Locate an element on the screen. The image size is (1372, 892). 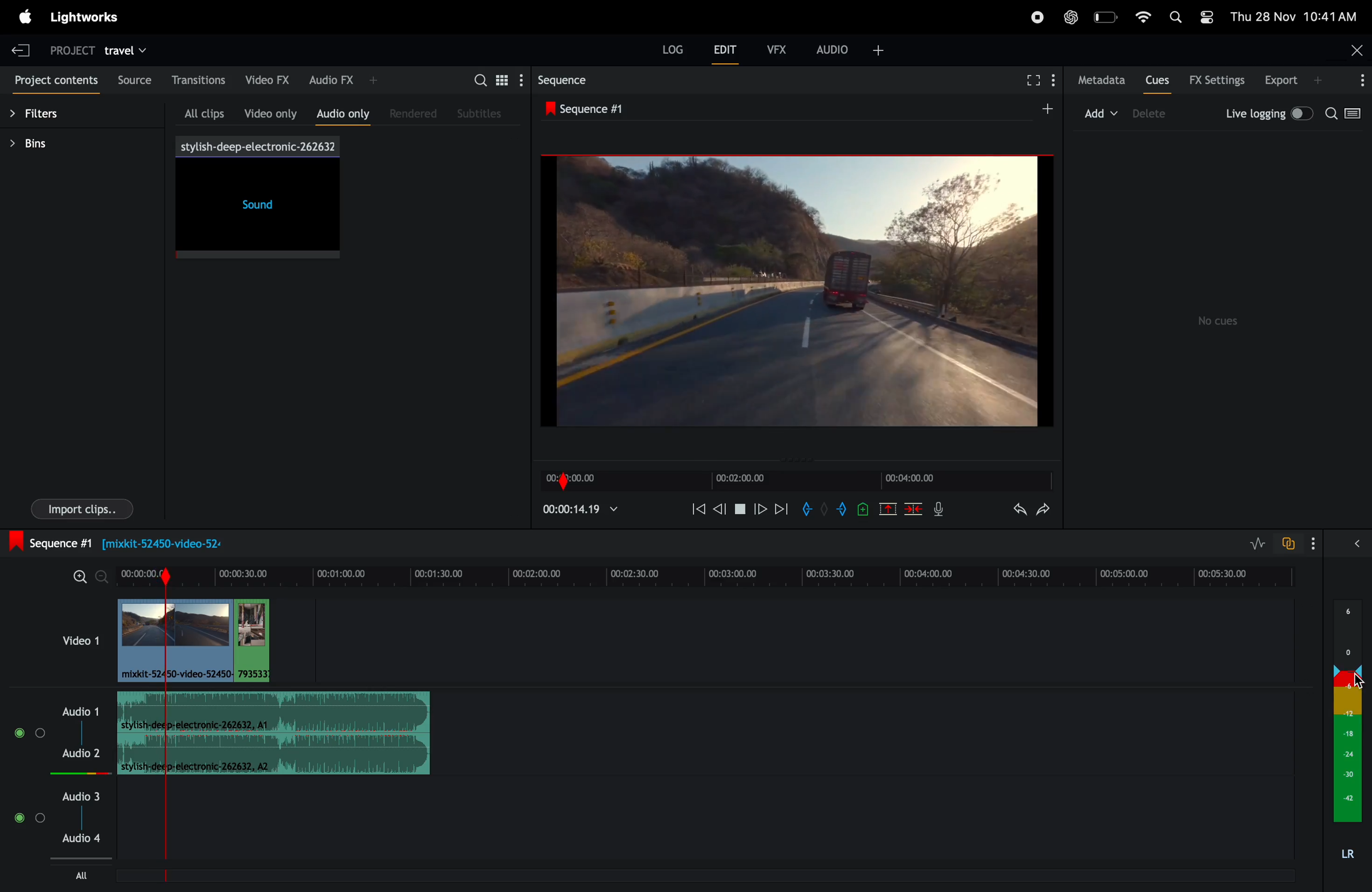
song title is located at coordinates (257, 146).